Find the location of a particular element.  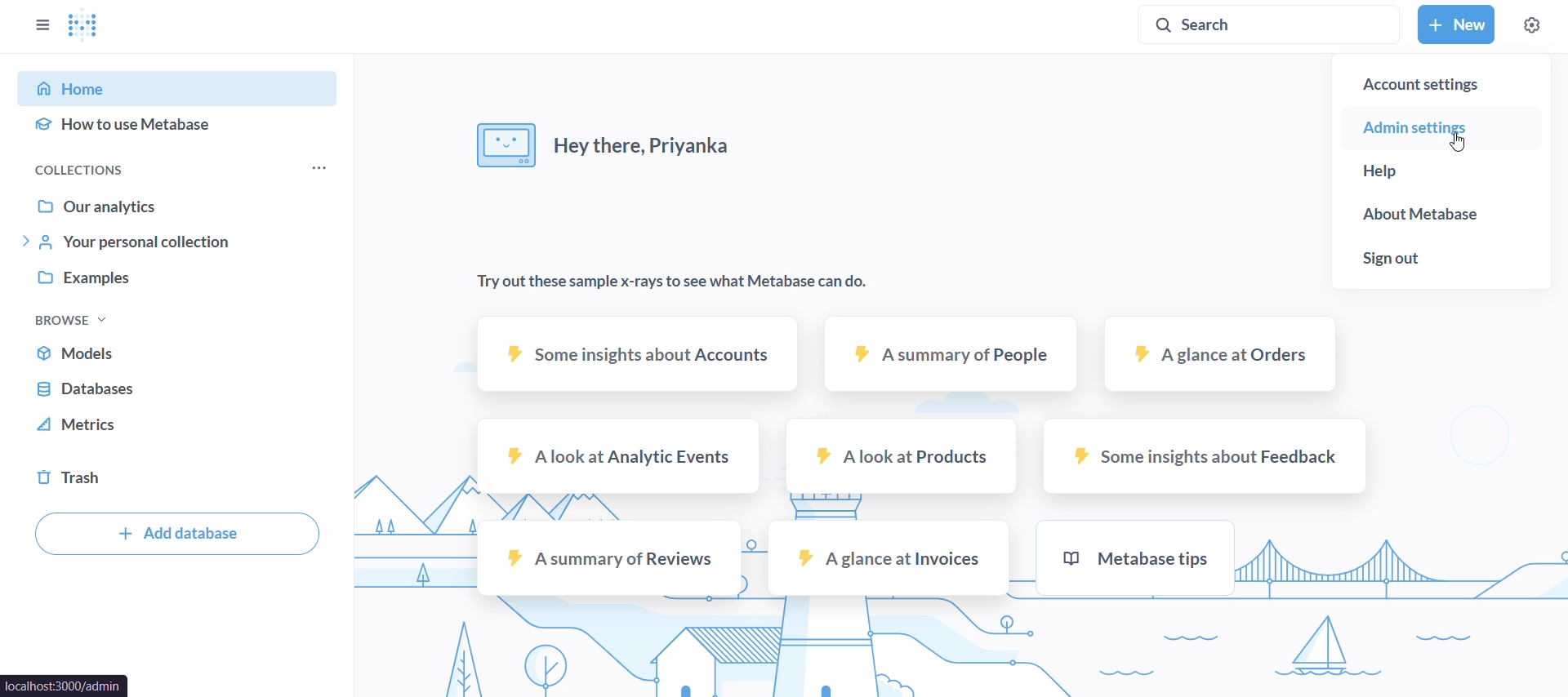

some insights about feedback is located at coordinates (1203, 457).